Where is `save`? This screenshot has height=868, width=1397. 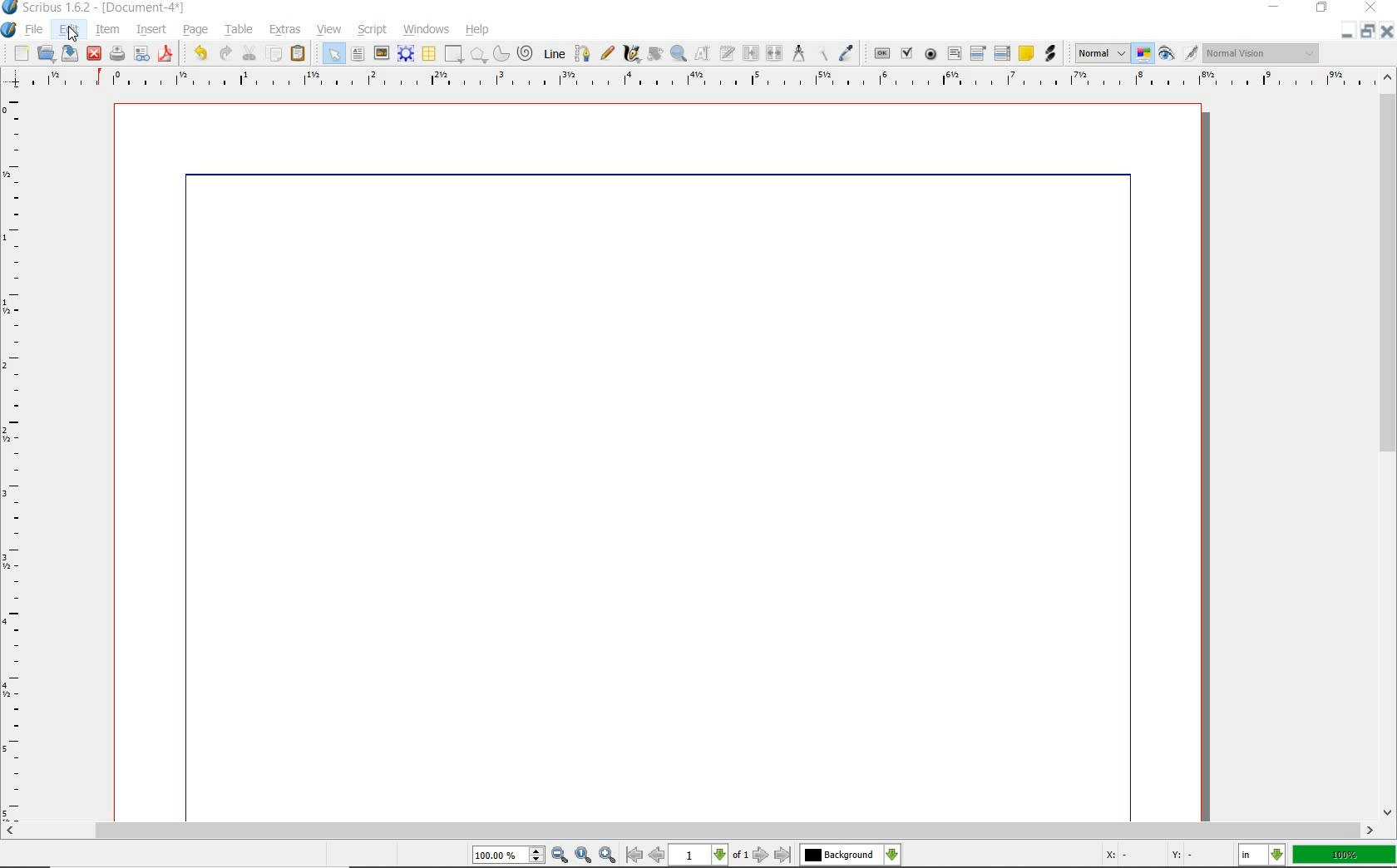
save is located at coordinates (71, 53).